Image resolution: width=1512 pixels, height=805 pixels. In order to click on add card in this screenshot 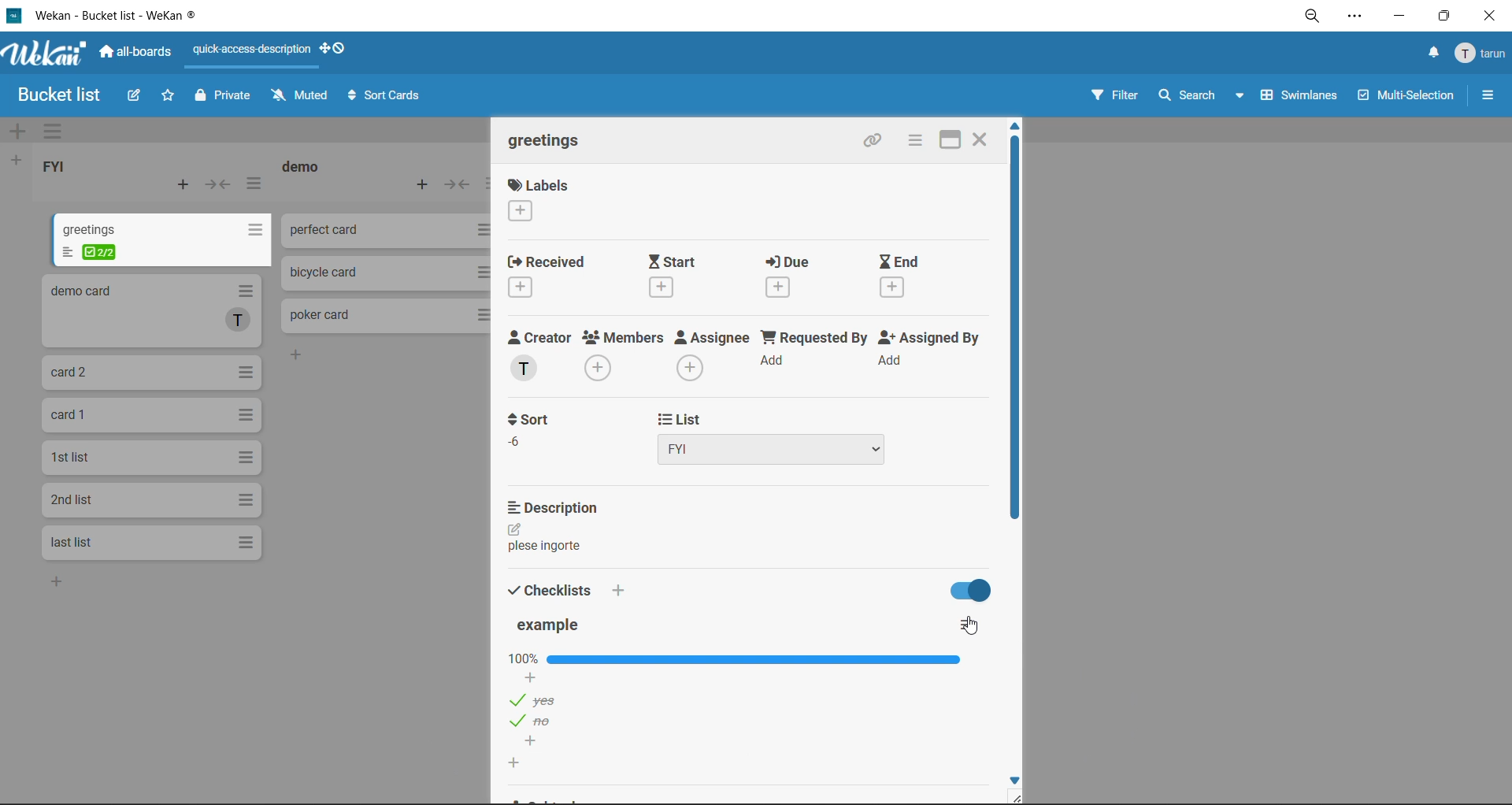, I will do `click(188, 186)`.